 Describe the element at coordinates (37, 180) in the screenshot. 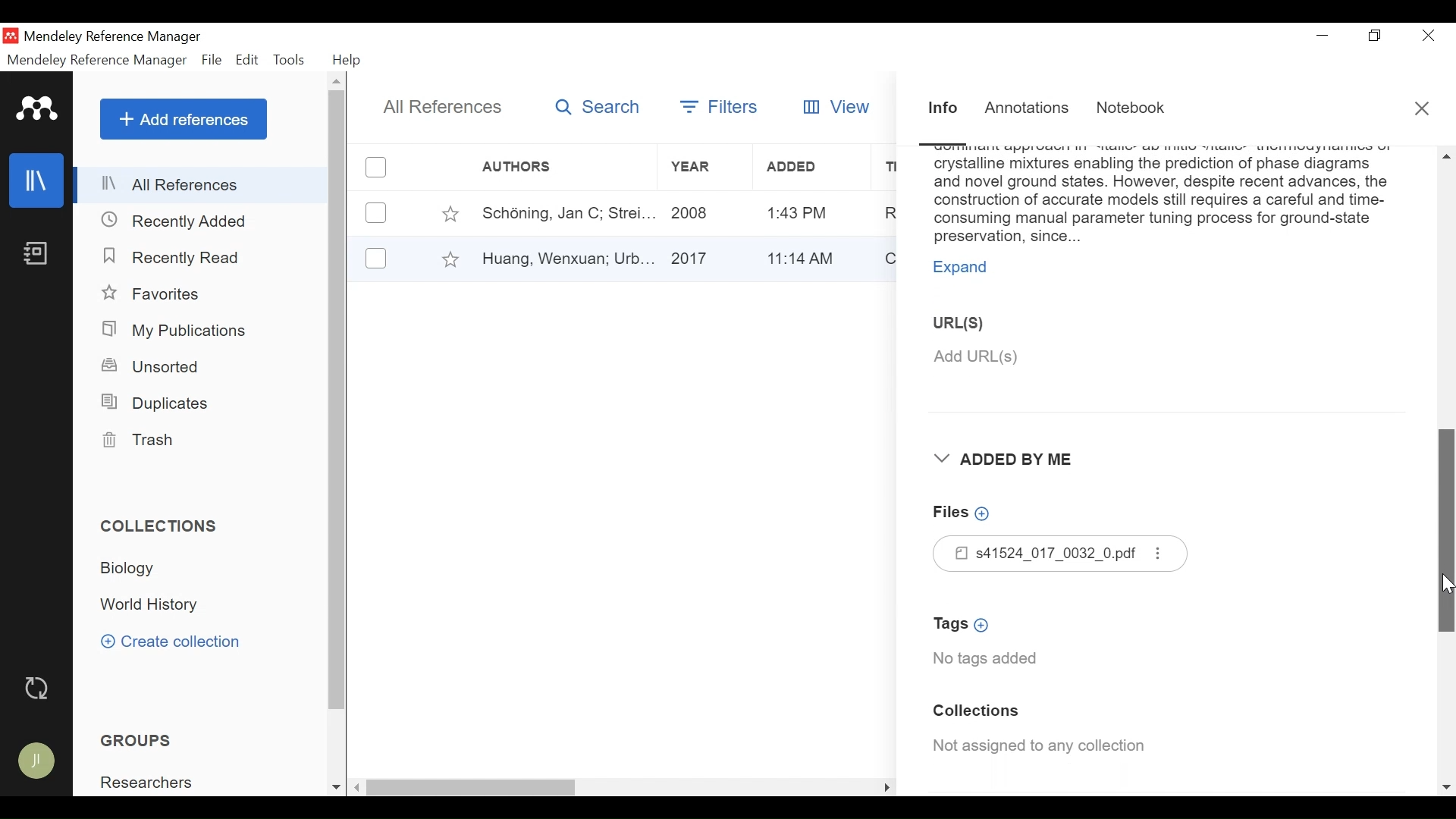

I see `Library` at that location.